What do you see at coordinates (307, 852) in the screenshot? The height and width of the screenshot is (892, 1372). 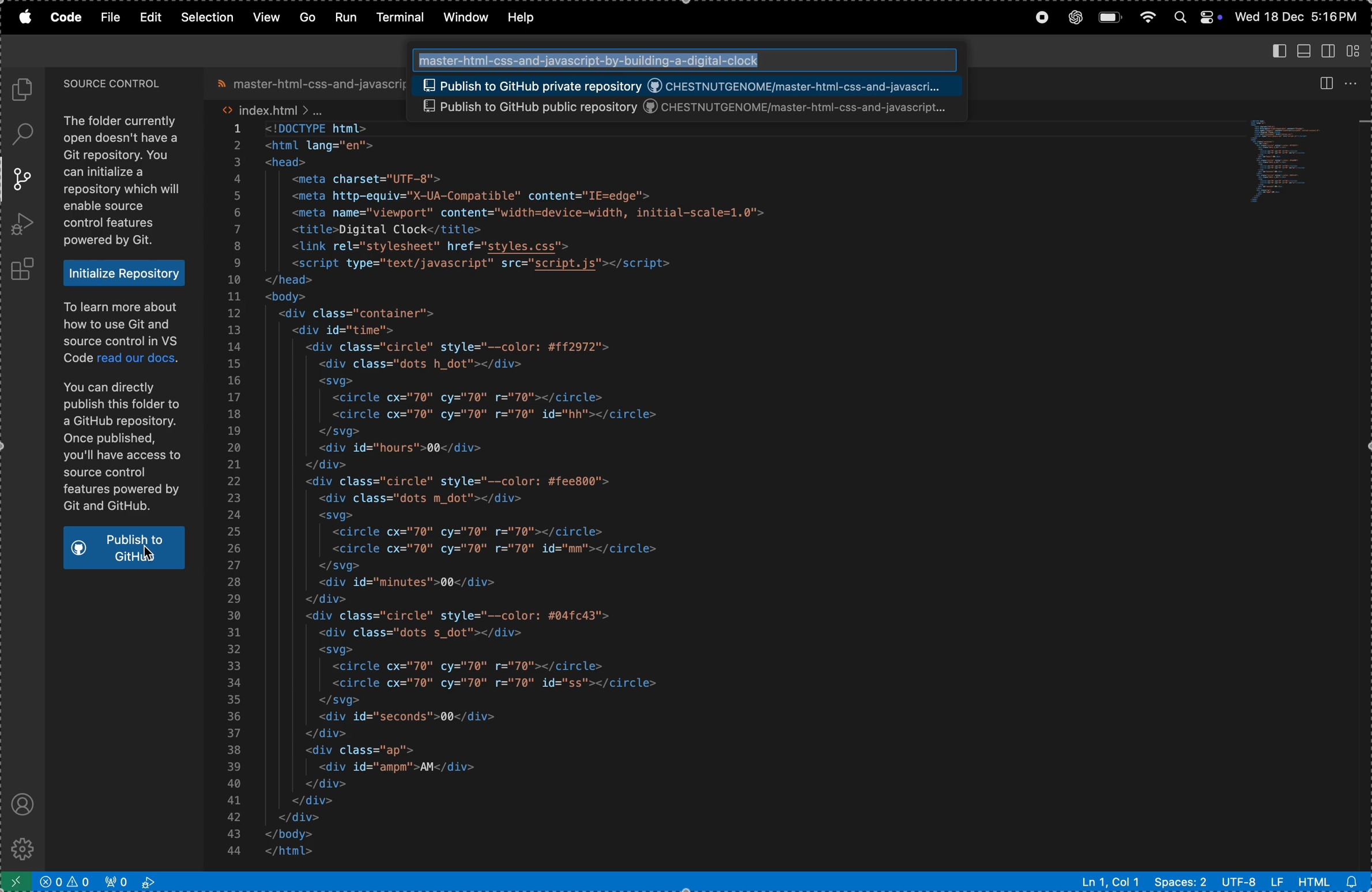 I see `</html>` at bounding box center [307, 852].